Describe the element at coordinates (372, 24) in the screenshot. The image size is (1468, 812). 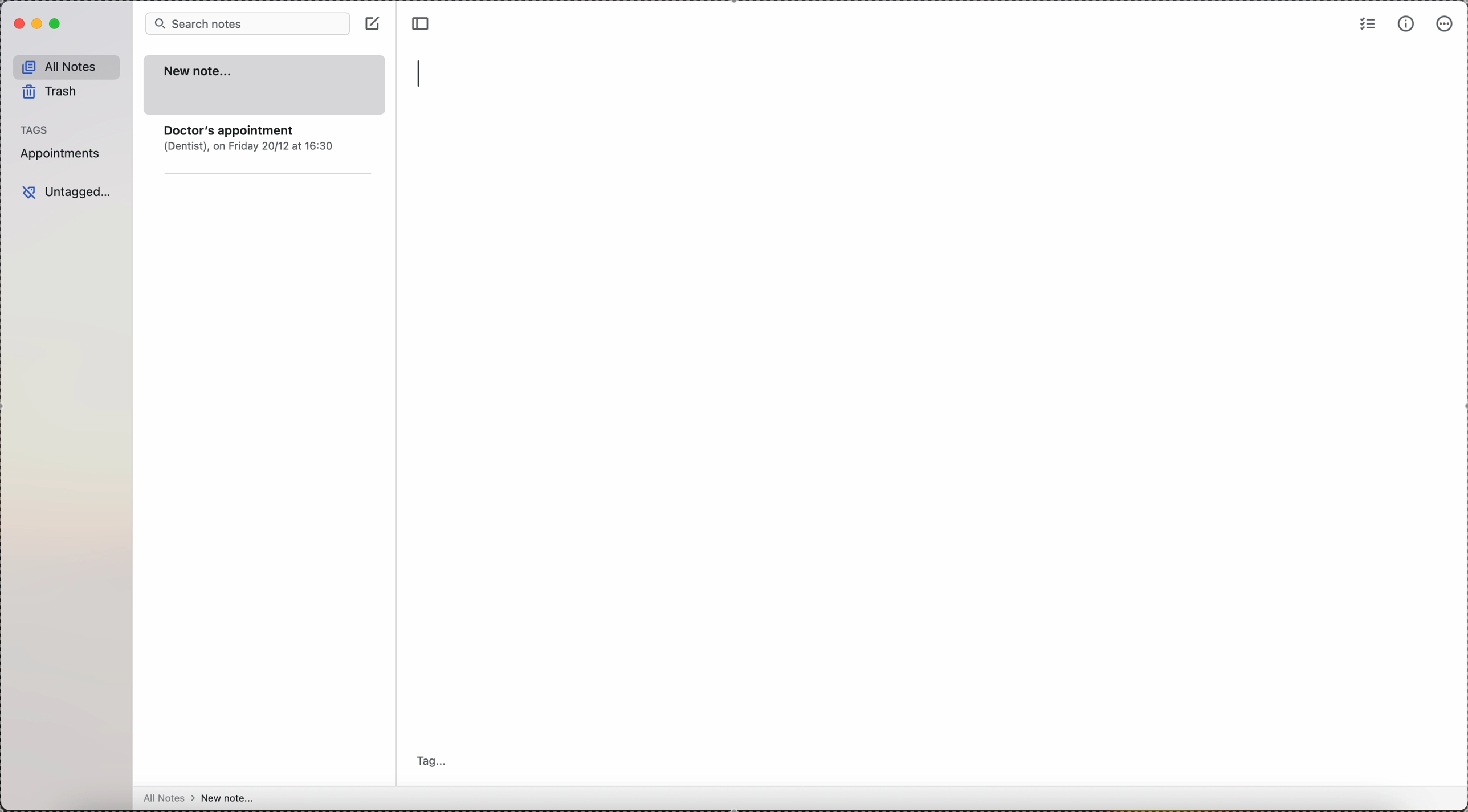
I see `click on create note` at that location.